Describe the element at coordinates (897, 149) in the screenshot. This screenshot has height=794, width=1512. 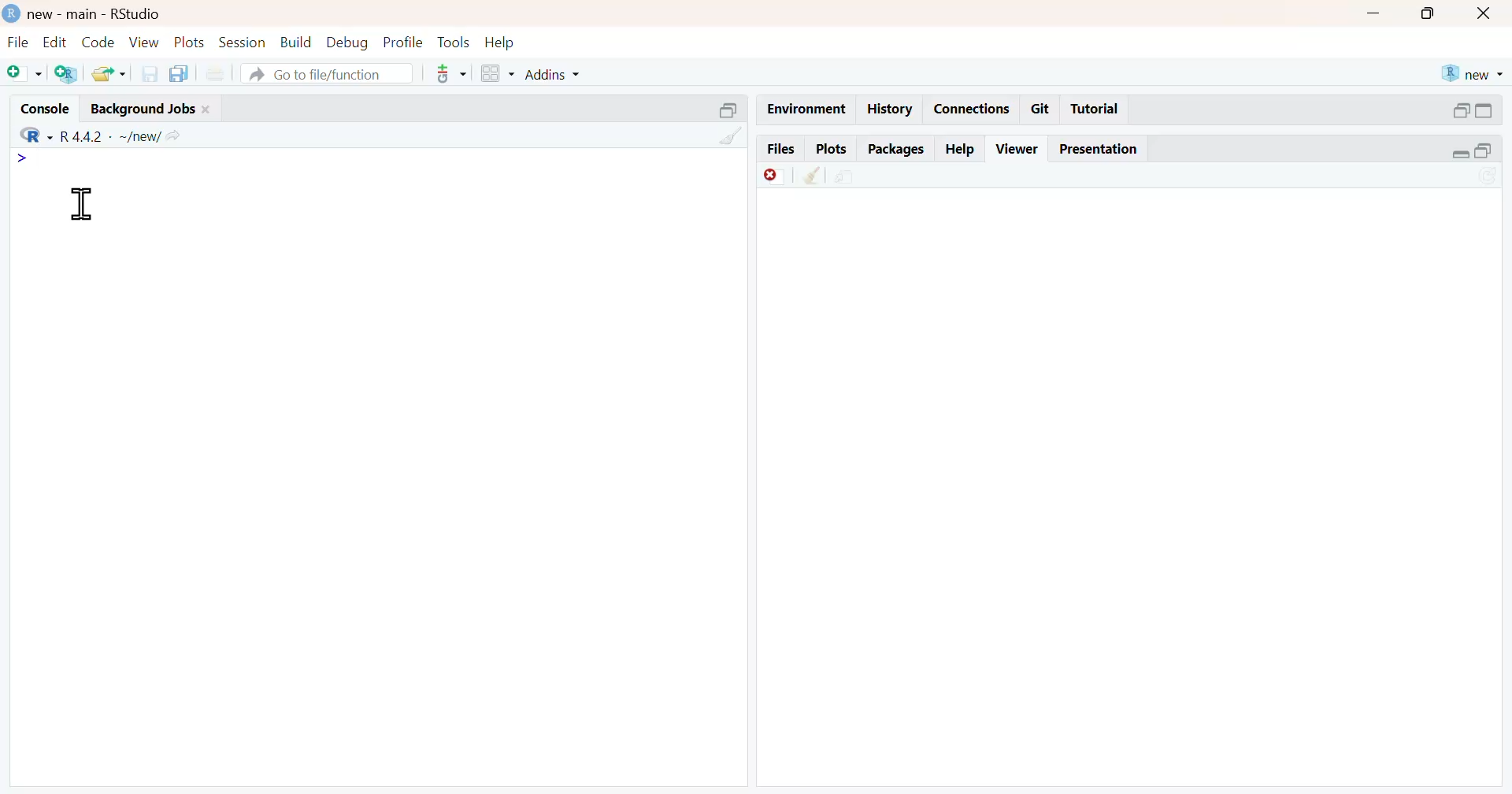
I see `packages` at that location.